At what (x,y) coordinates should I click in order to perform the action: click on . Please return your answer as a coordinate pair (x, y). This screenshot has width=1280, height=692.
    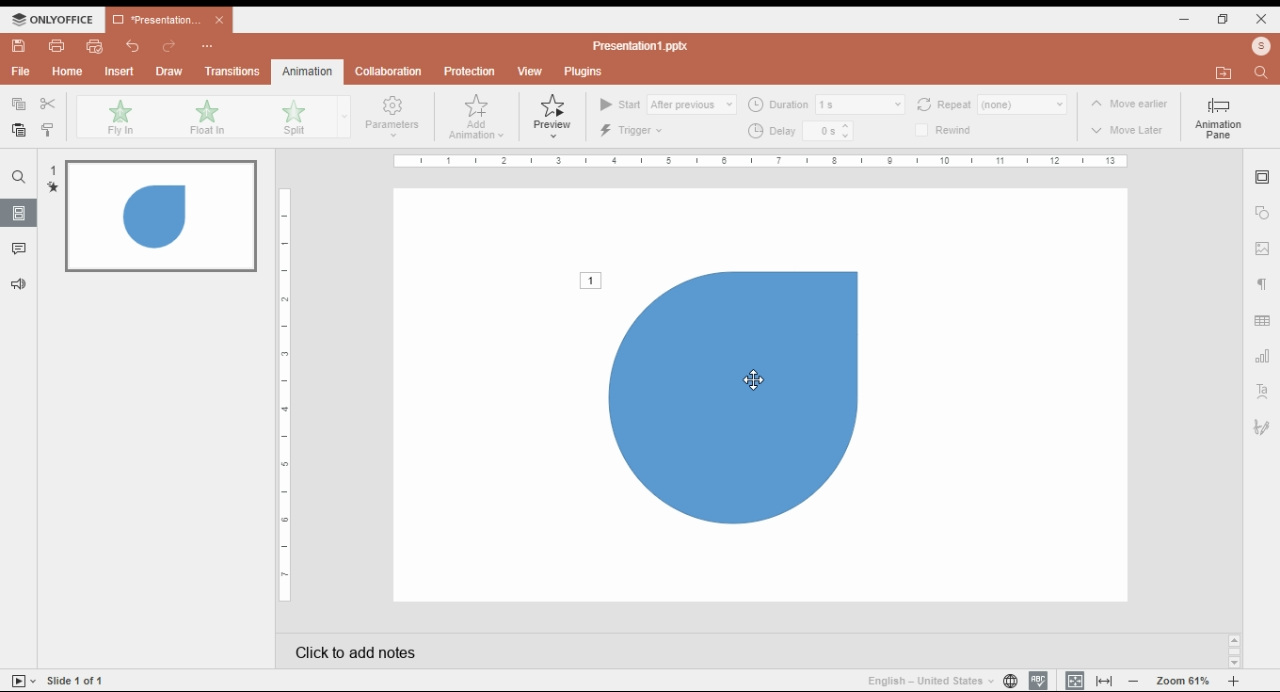
    Looking at the image, I should click on (1262, 430).